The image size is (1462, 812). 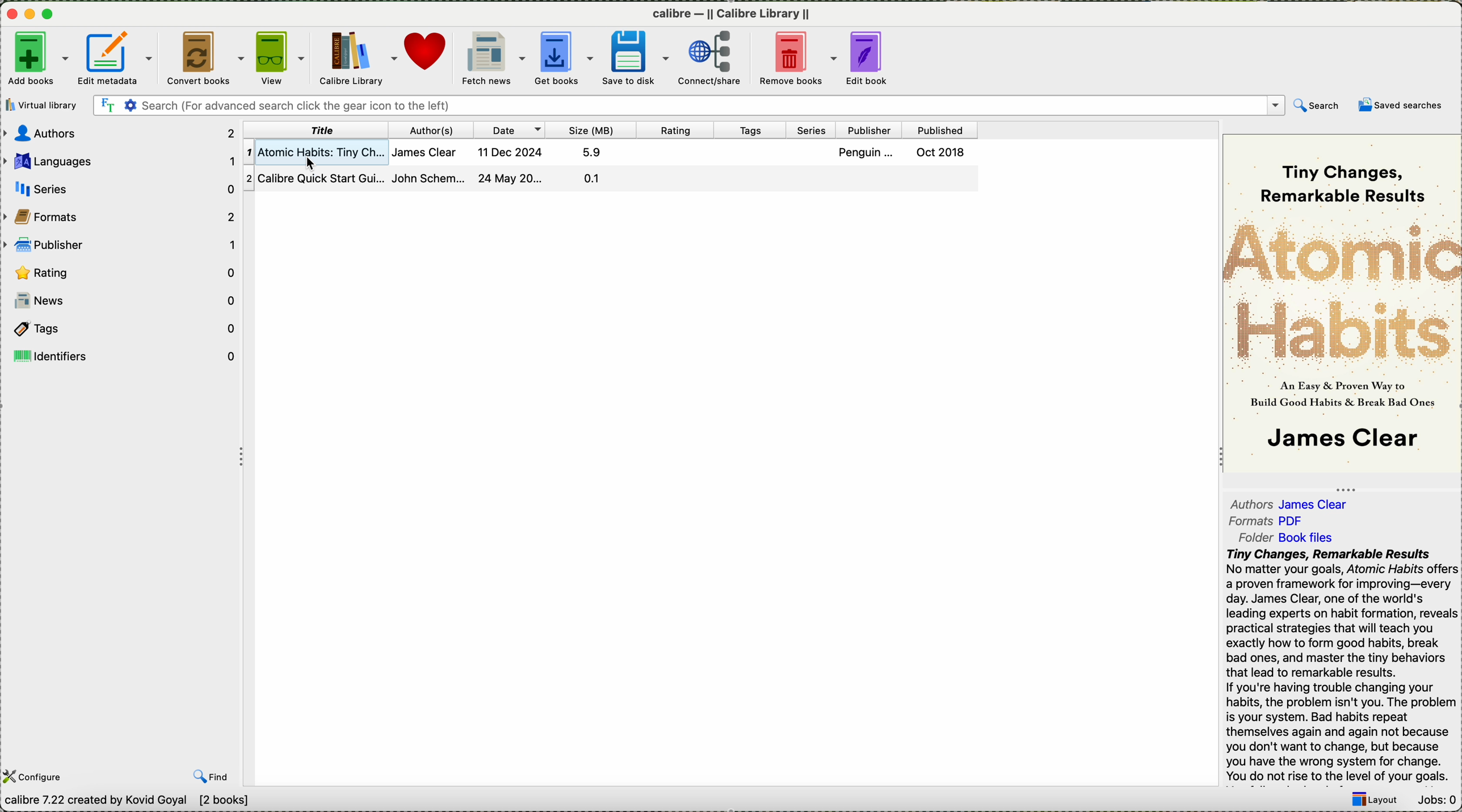 What do you see at coordinates (214, 776) in the screenshot?
I see `find` at bounding box center [214, 776].